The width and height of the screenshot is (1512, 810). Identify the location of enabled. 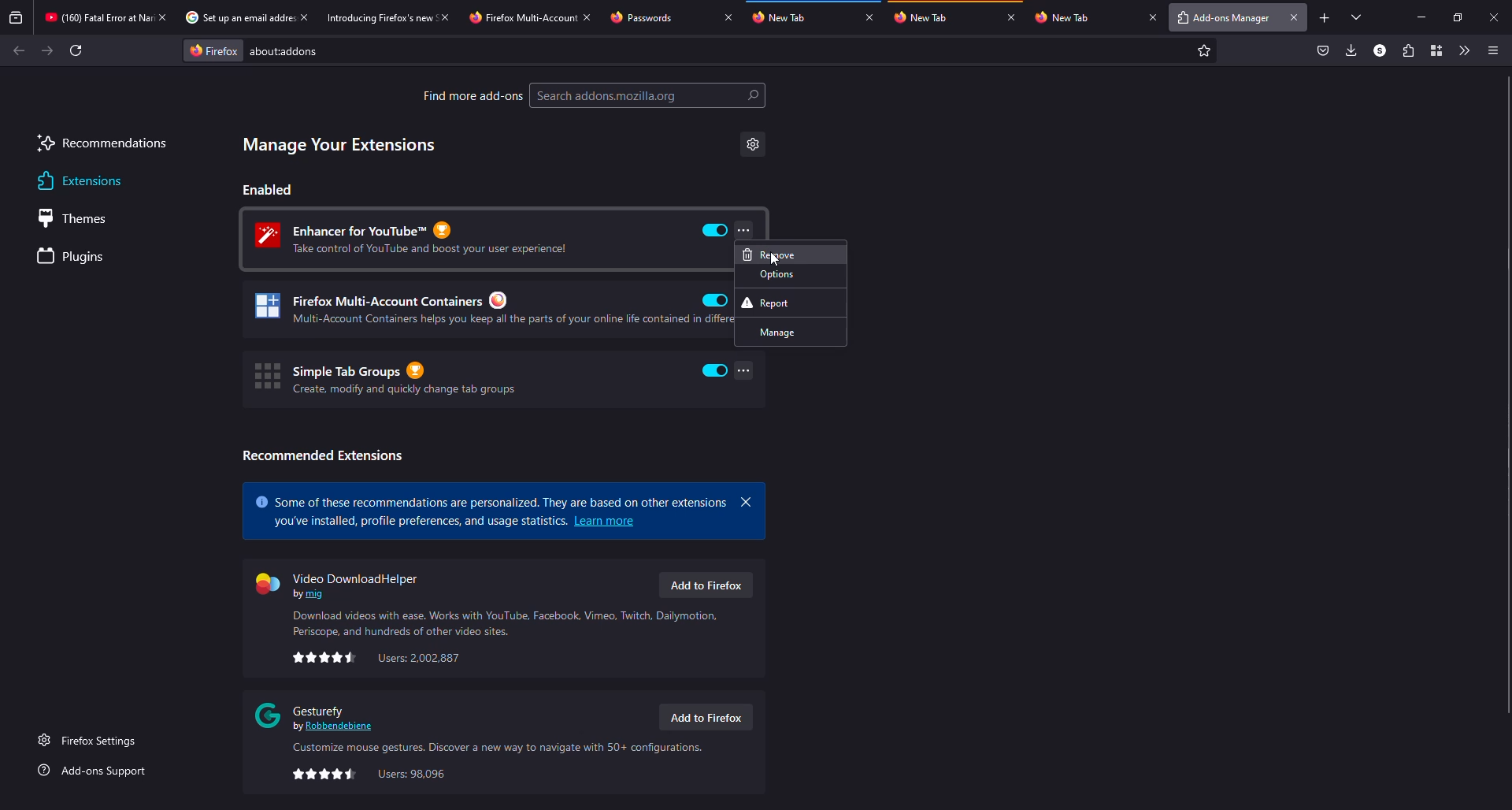
(715, 300).